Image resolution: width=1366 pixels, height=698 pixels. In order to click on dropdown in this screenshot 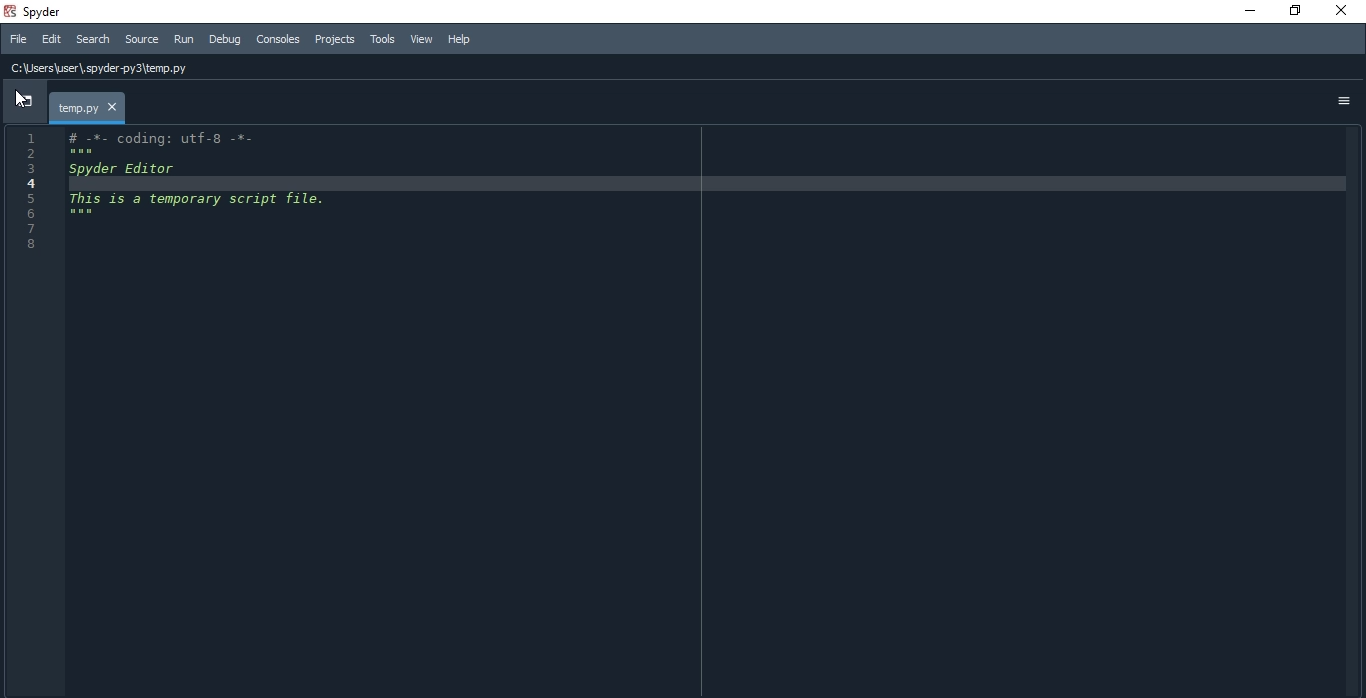, I will do `click(22, 97)`.